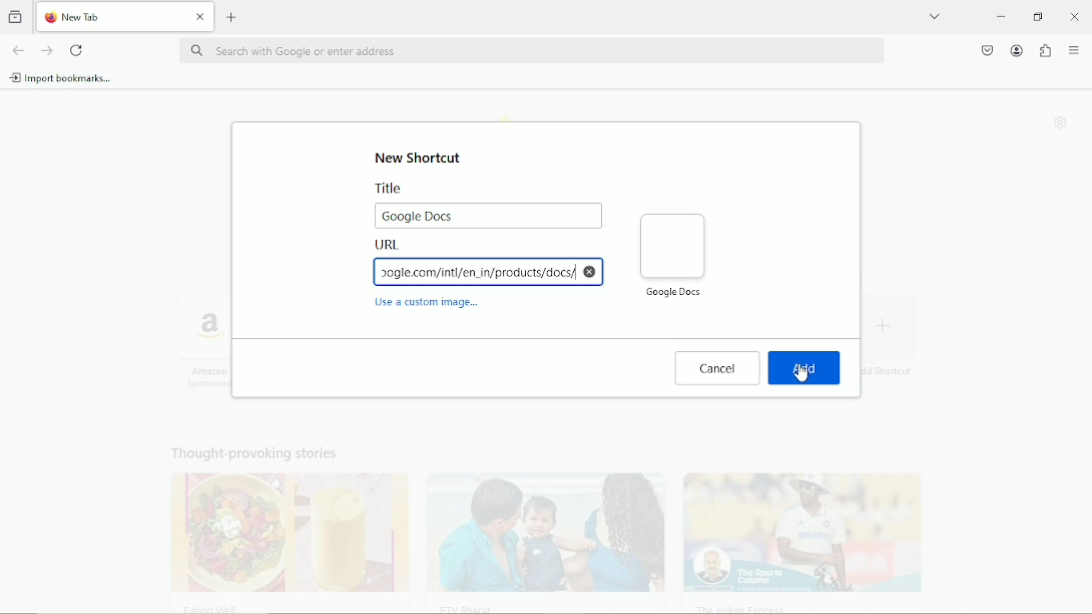 The height and width of the screenshot is (614, 1092). Describe the element at coordinates (718, 368) in the screenshot. I see `cancel` at that location.